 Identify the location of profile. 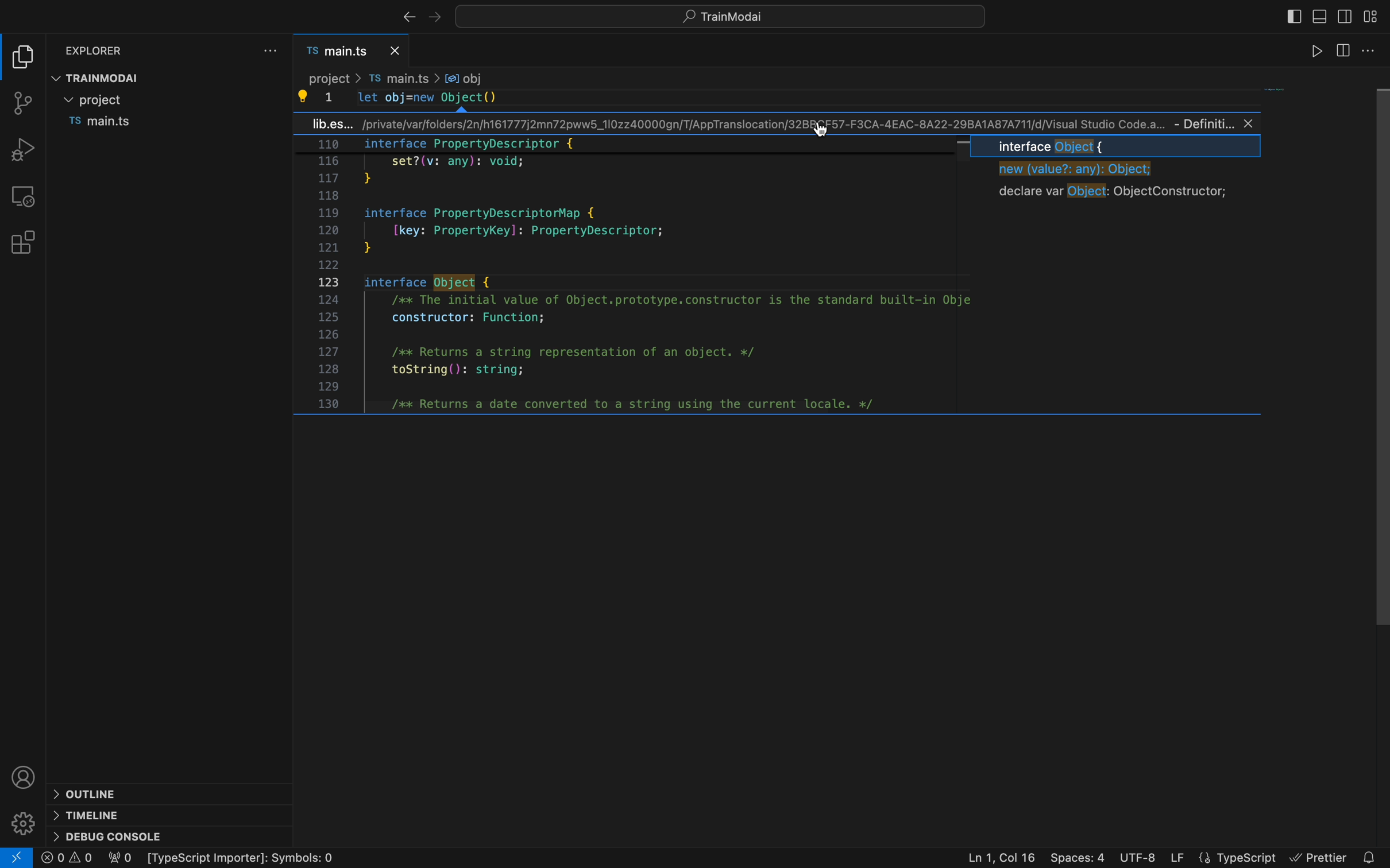
(24, 776).